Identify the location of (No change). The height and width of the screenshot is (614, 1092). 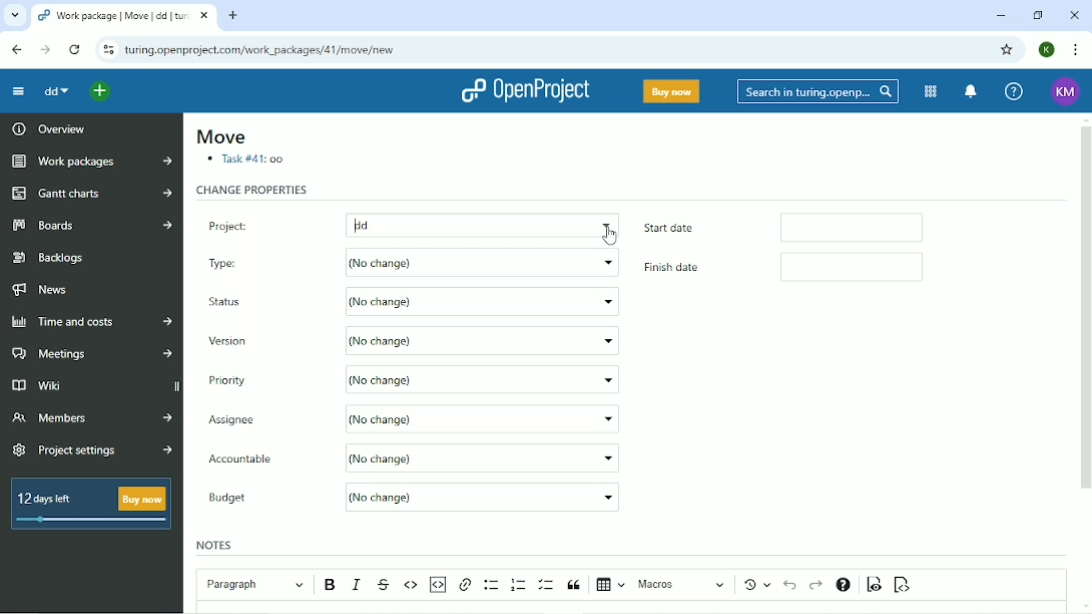
(484, 378).